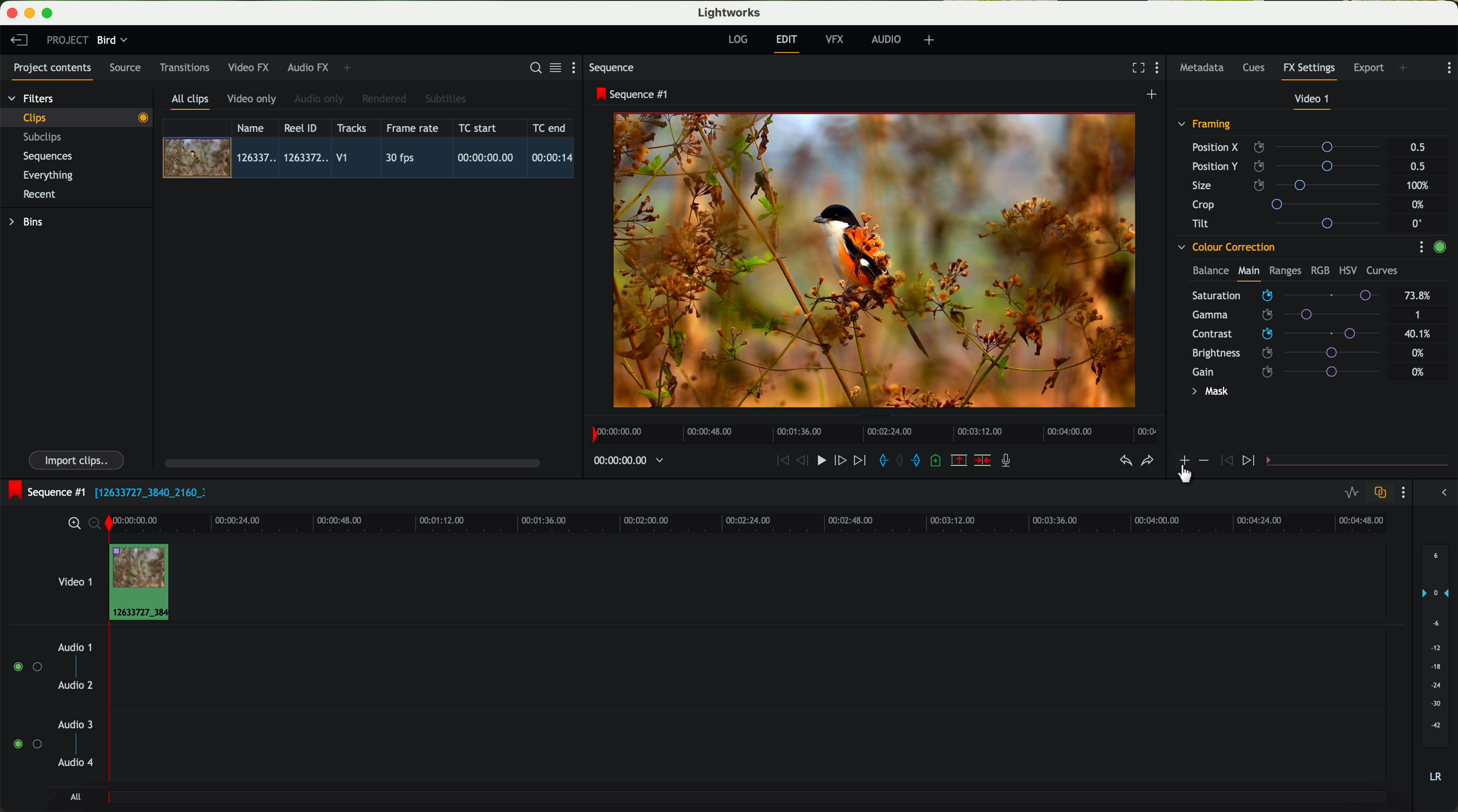 Image resolution: width=1458 pixels, height=812 pixels. I want to click on show settings menu, so click(1402, 492).